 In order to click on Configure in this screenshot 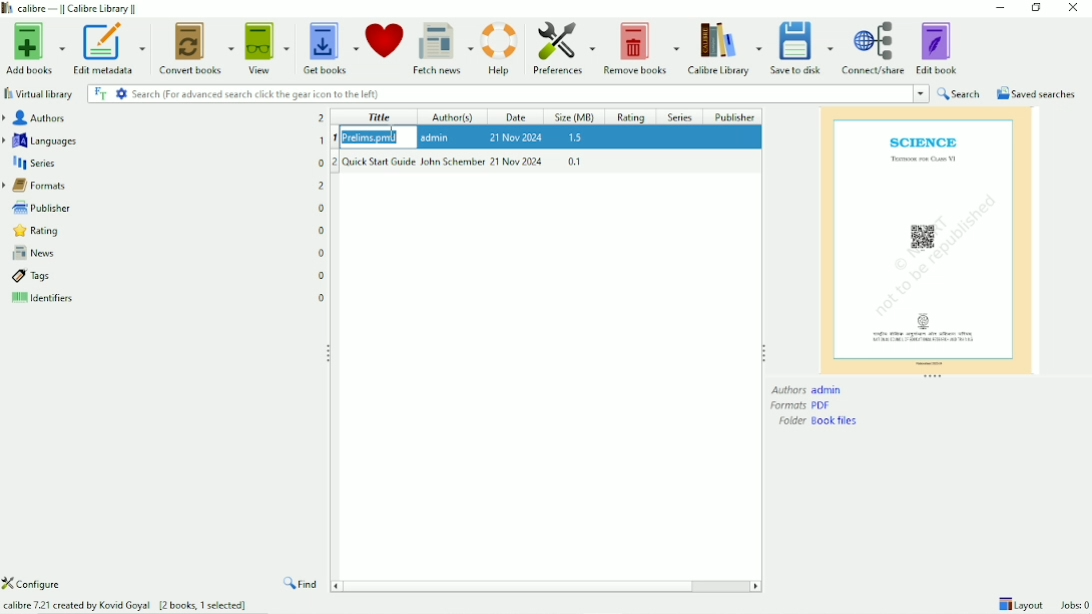, I will do `click(39, 584)`.